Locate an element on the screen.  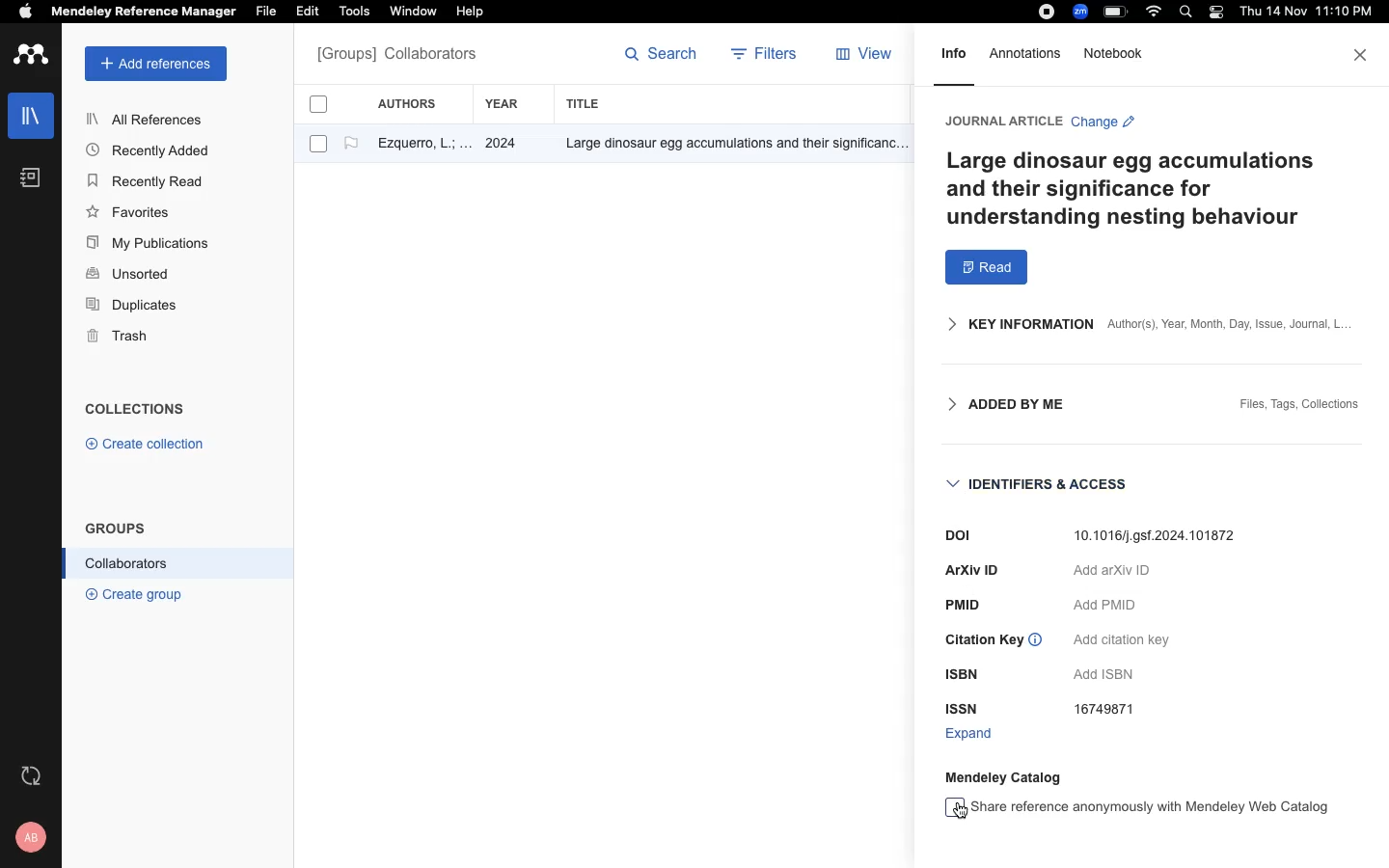
author(s), Year, Month, Day, Issue, Journal, L. is located at coordinates (1227, 324).